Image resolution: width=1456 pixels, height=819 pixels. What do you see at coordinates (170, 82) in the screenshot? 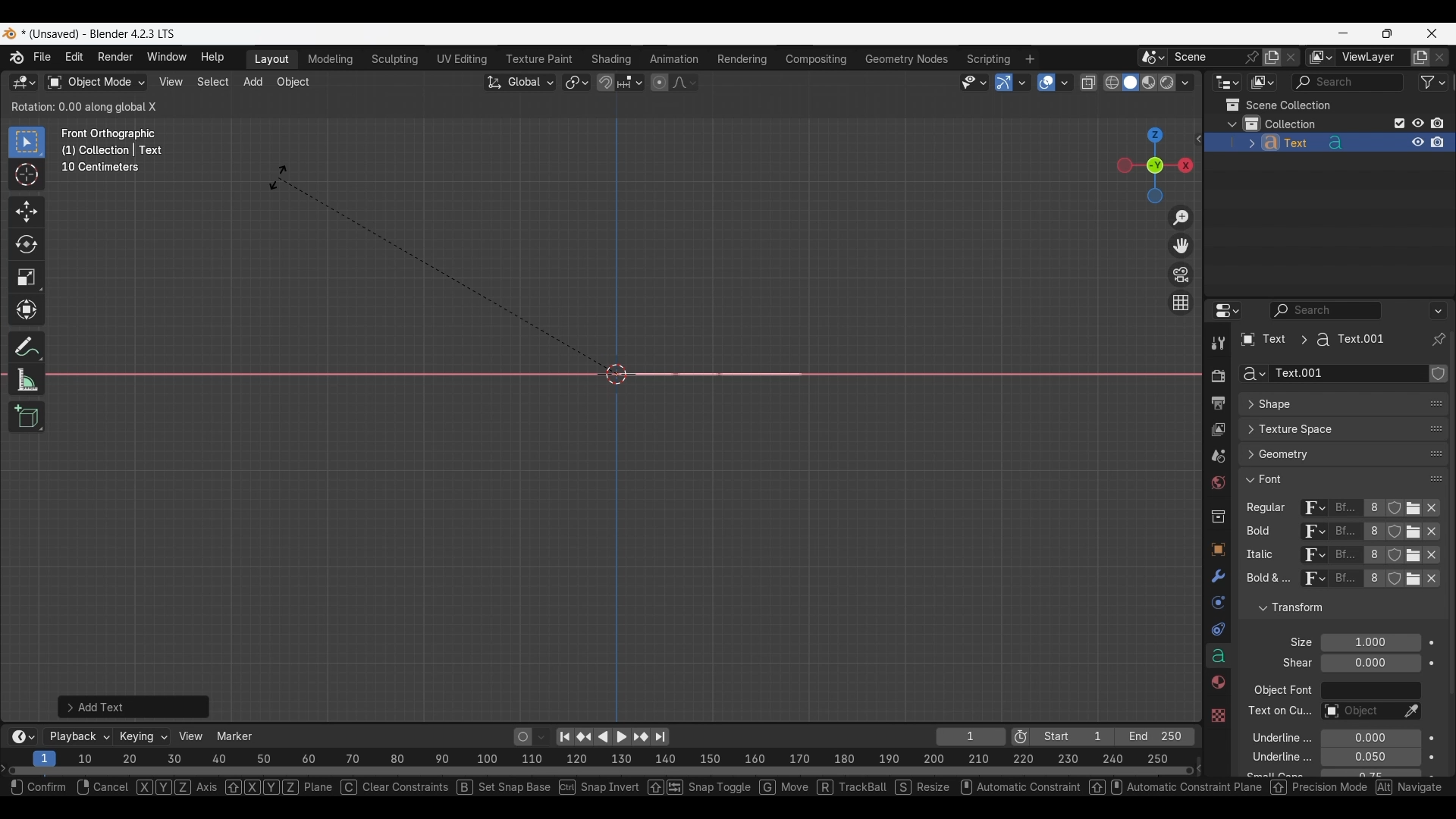
I see `View menu` at bounding box center [170, 82].